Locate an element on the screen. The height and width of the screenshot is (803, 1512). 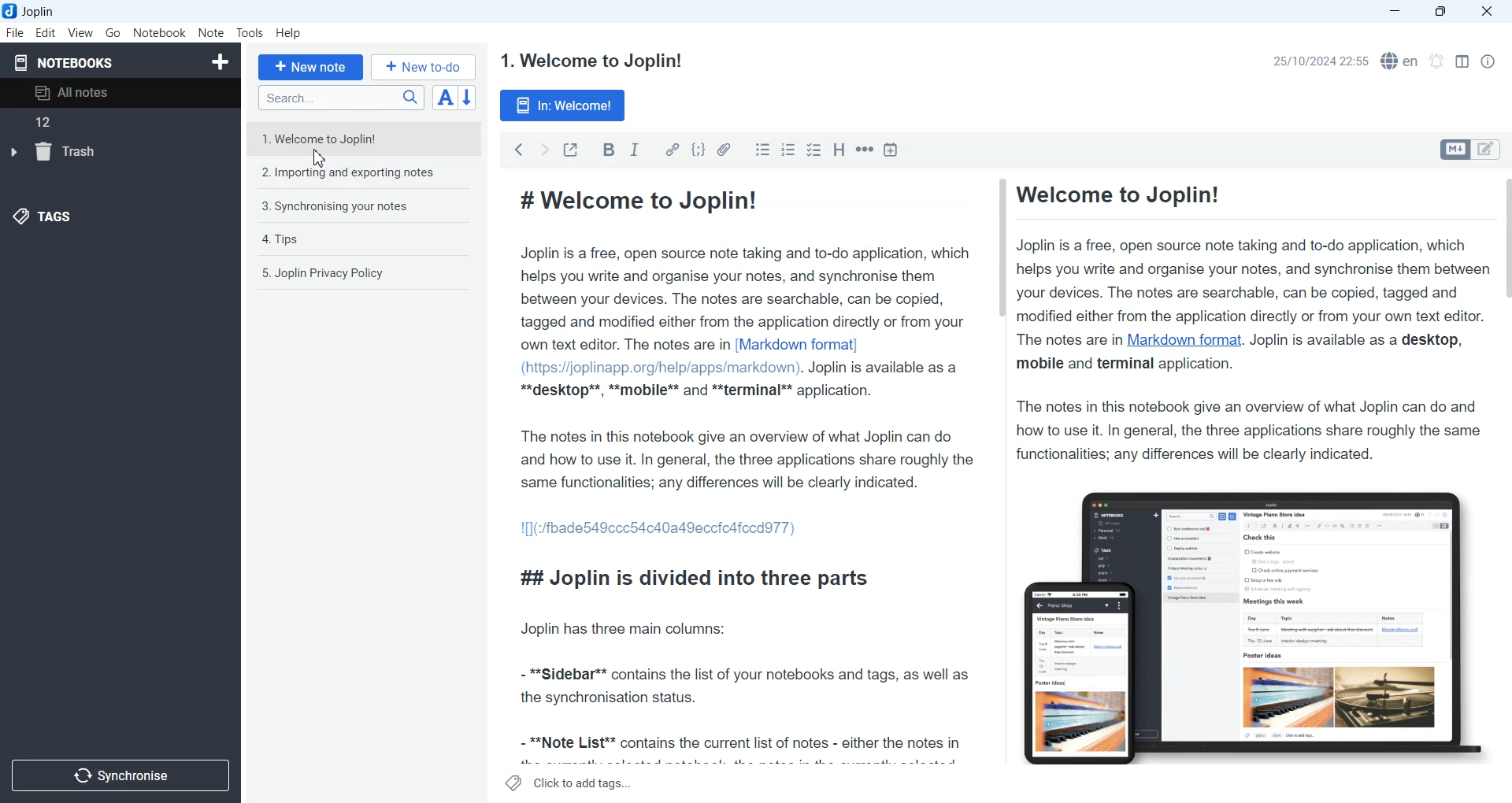
Spell checker is located at coordinates (1401, 61).